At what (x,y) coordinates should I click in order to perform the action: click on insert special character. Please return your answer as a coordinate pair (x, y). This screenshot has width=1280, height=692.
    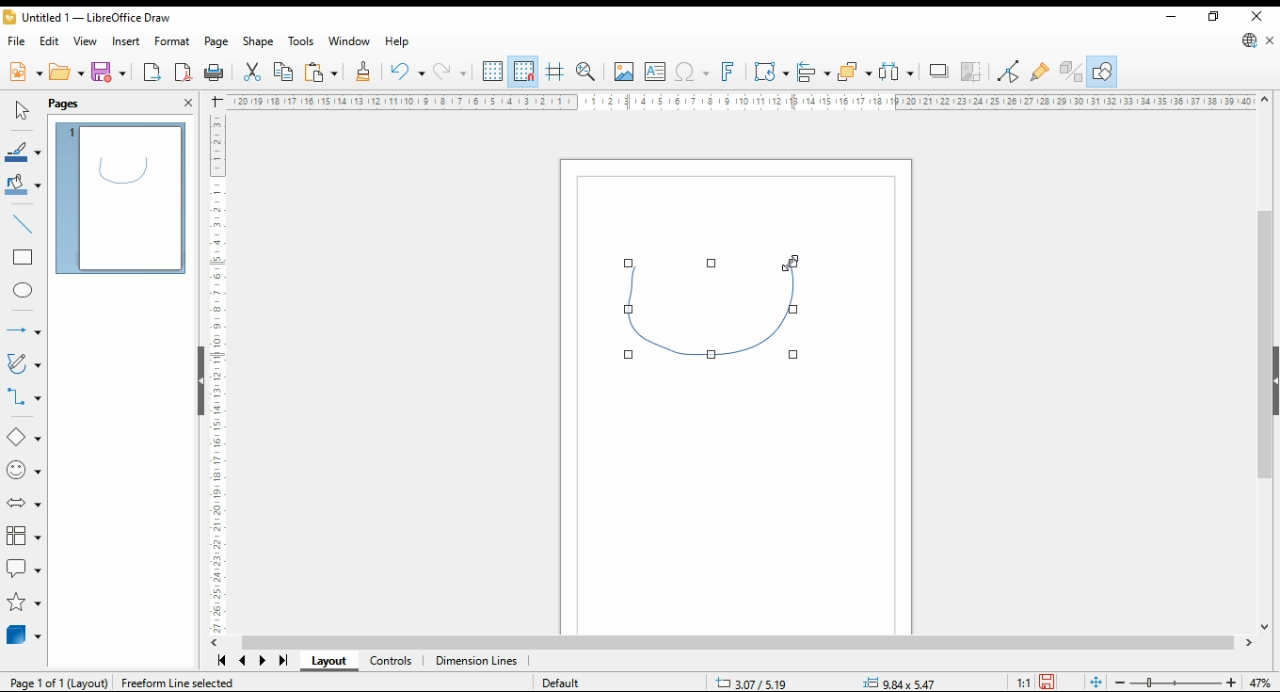
    Looking at the image, I should click on (690, 73).